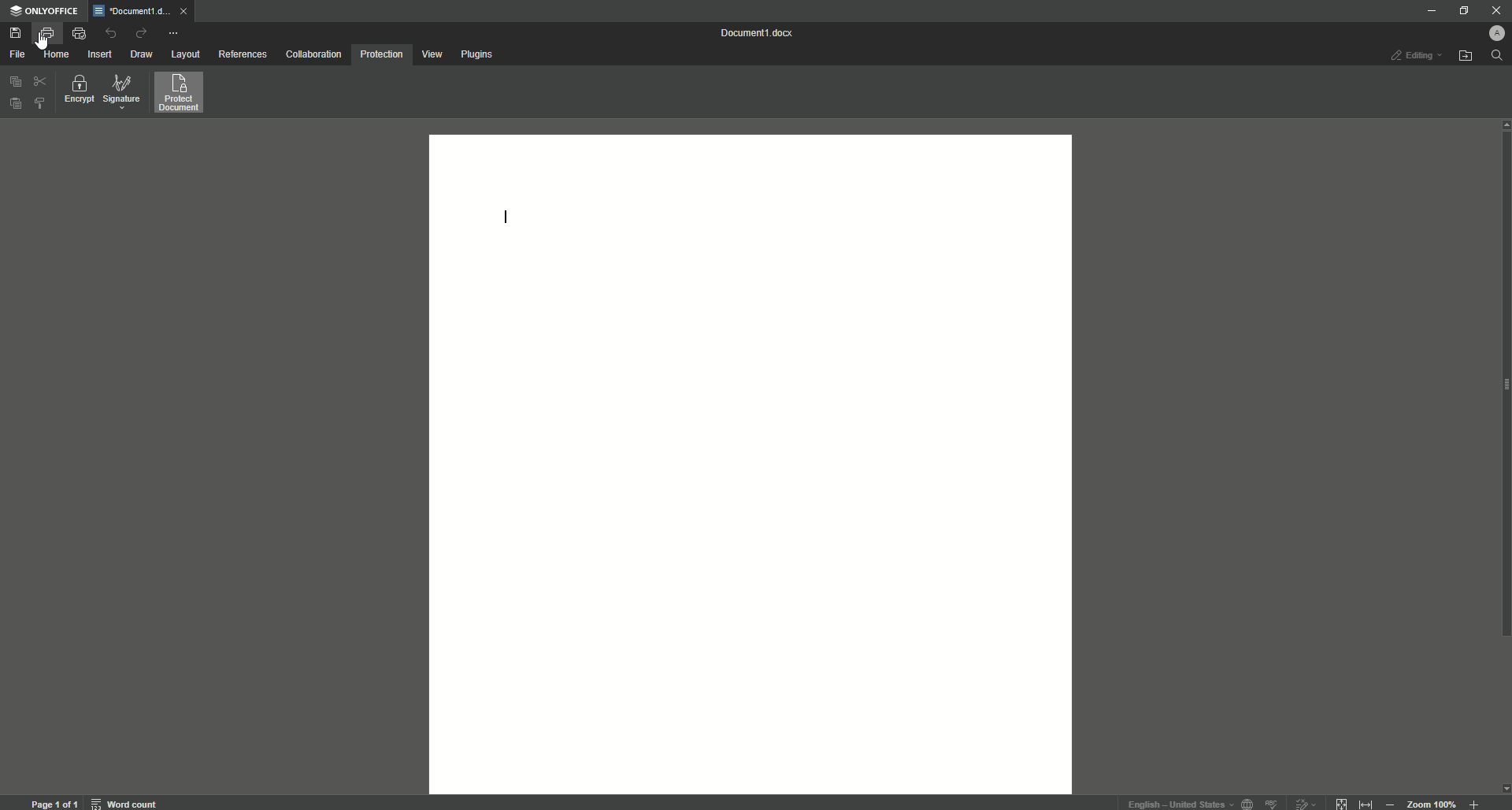 The image size is (1512, 810). Describe the element at coordinates (144, 34) in the screenshot. I see `Redo` at that location.